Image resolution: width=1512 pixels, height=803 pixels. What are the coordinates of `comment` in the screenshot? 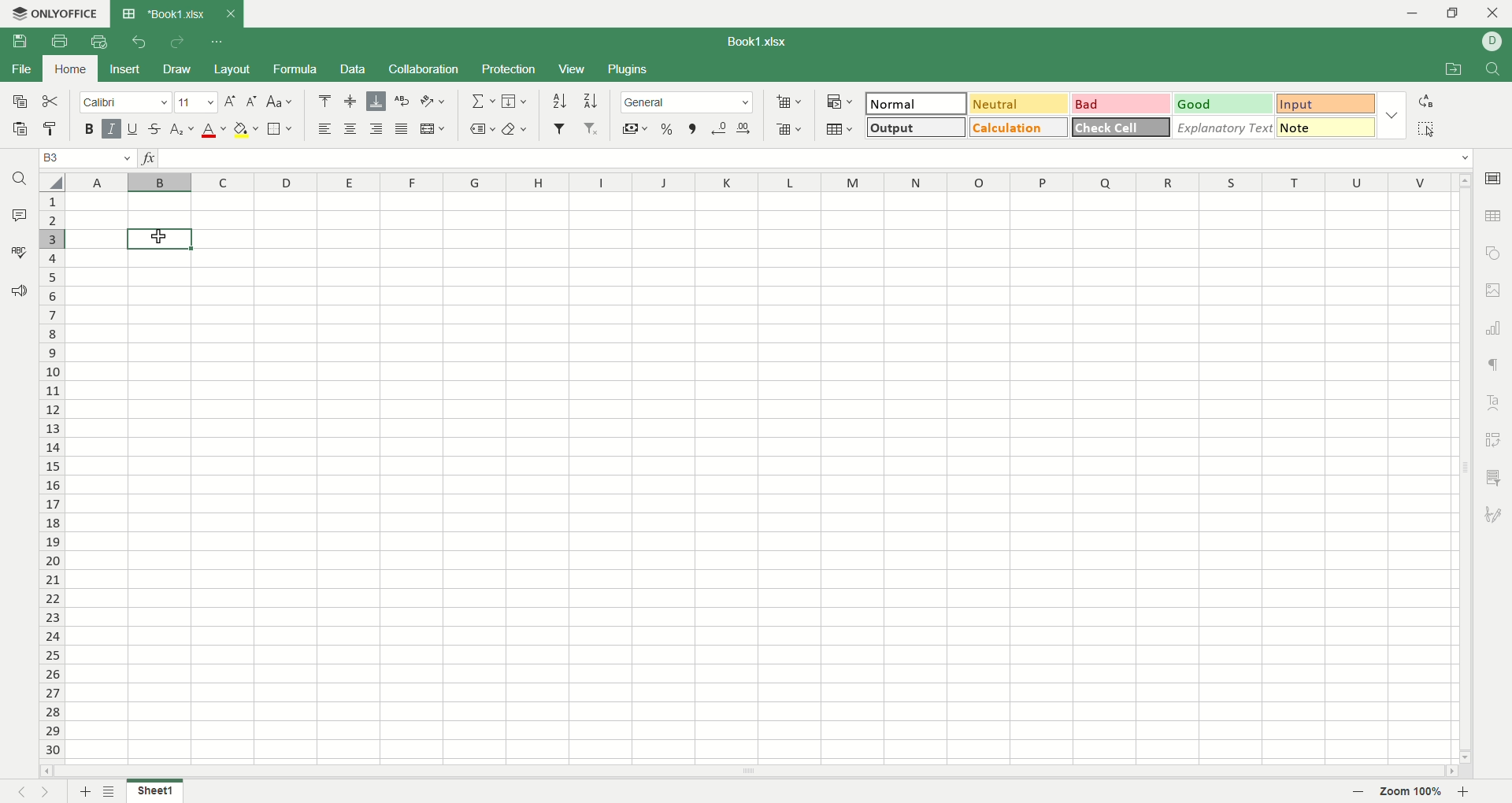 It's located at (15, 213).